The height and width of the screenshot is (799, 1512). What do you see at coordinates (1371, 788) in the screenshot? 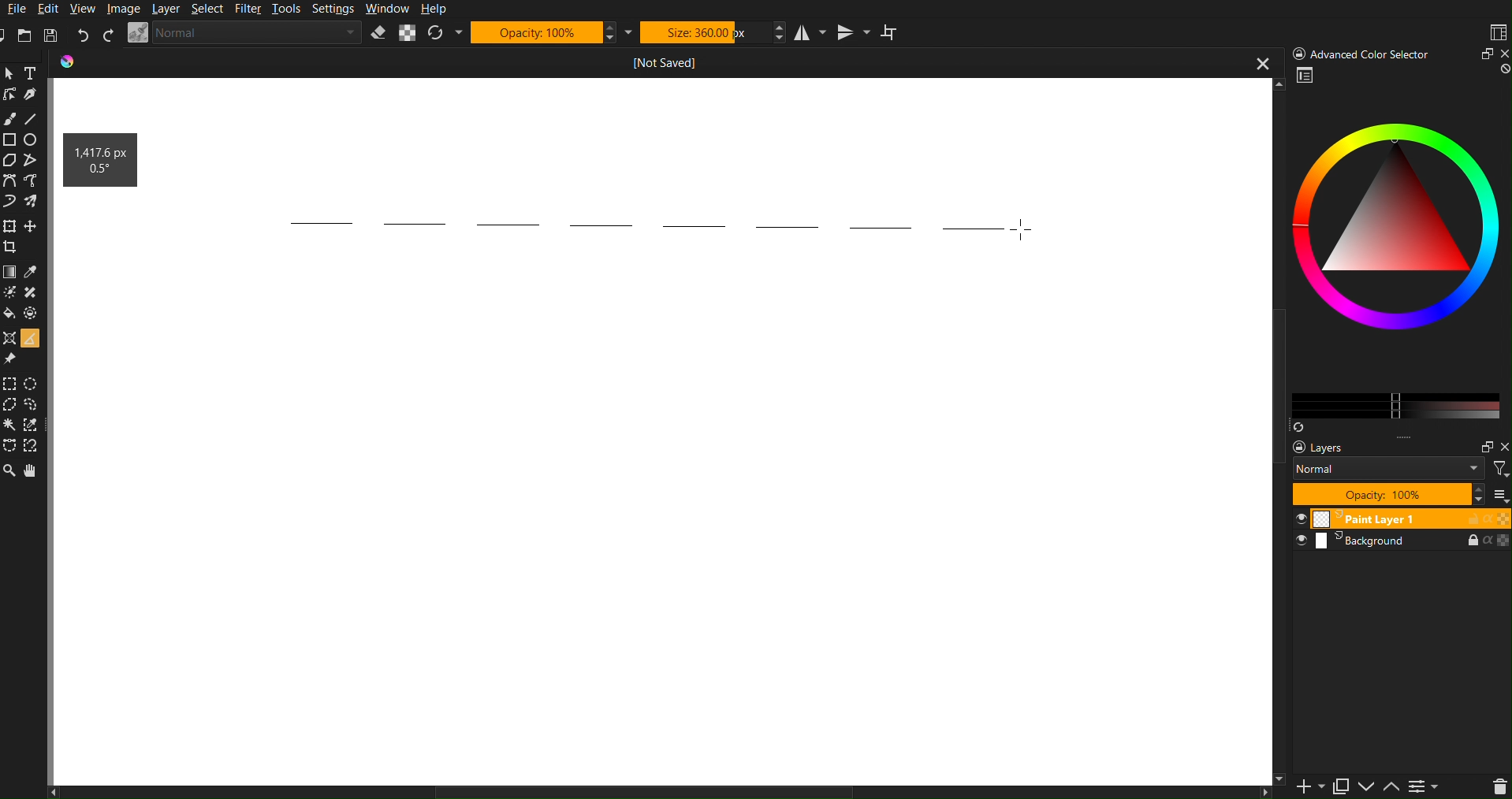
I see `Down` at bounding box center [1371, 788].